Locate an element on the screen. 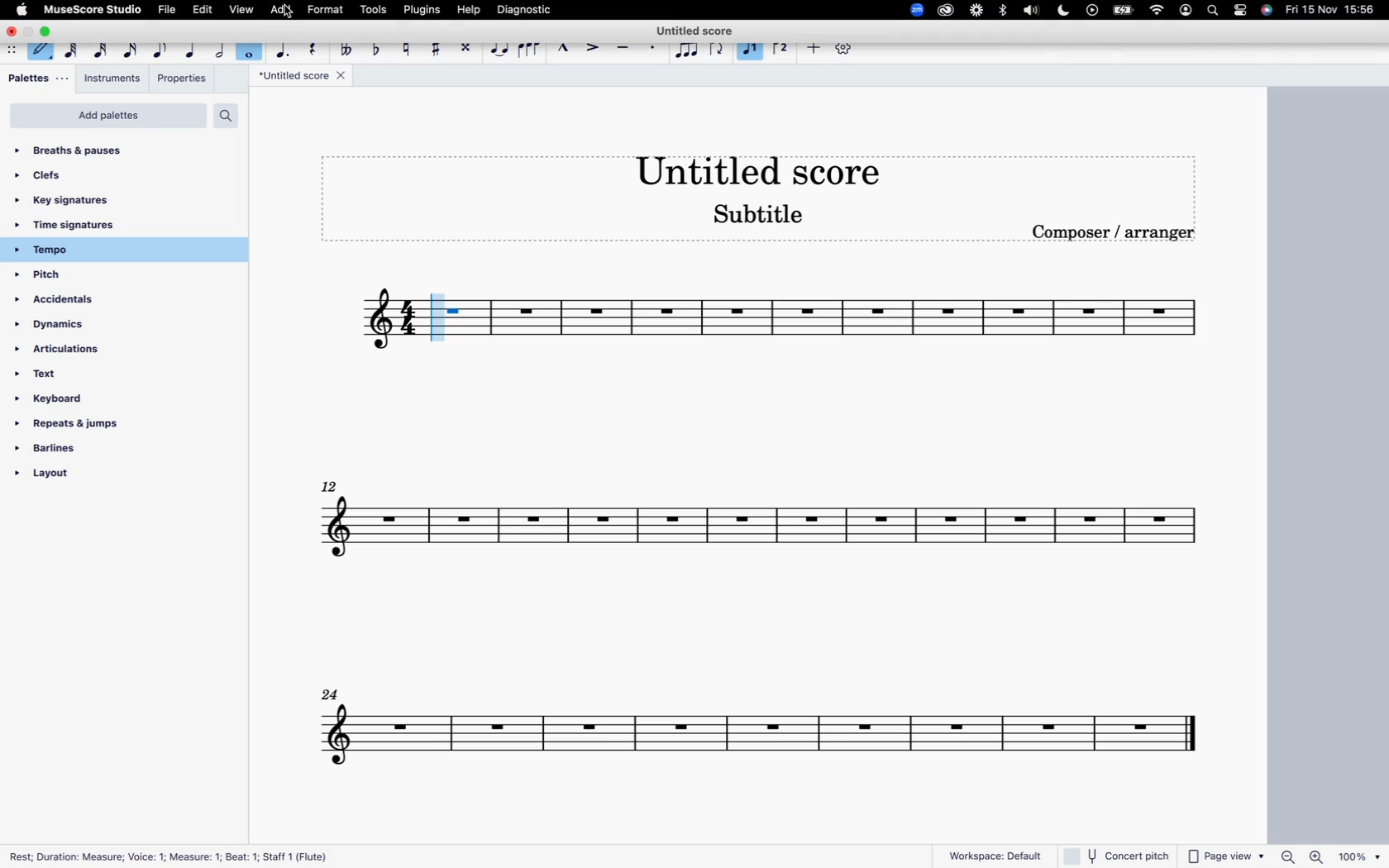 The width and height of the screenshot is (1389, 868). barlines is located at coordinates (93, 451).